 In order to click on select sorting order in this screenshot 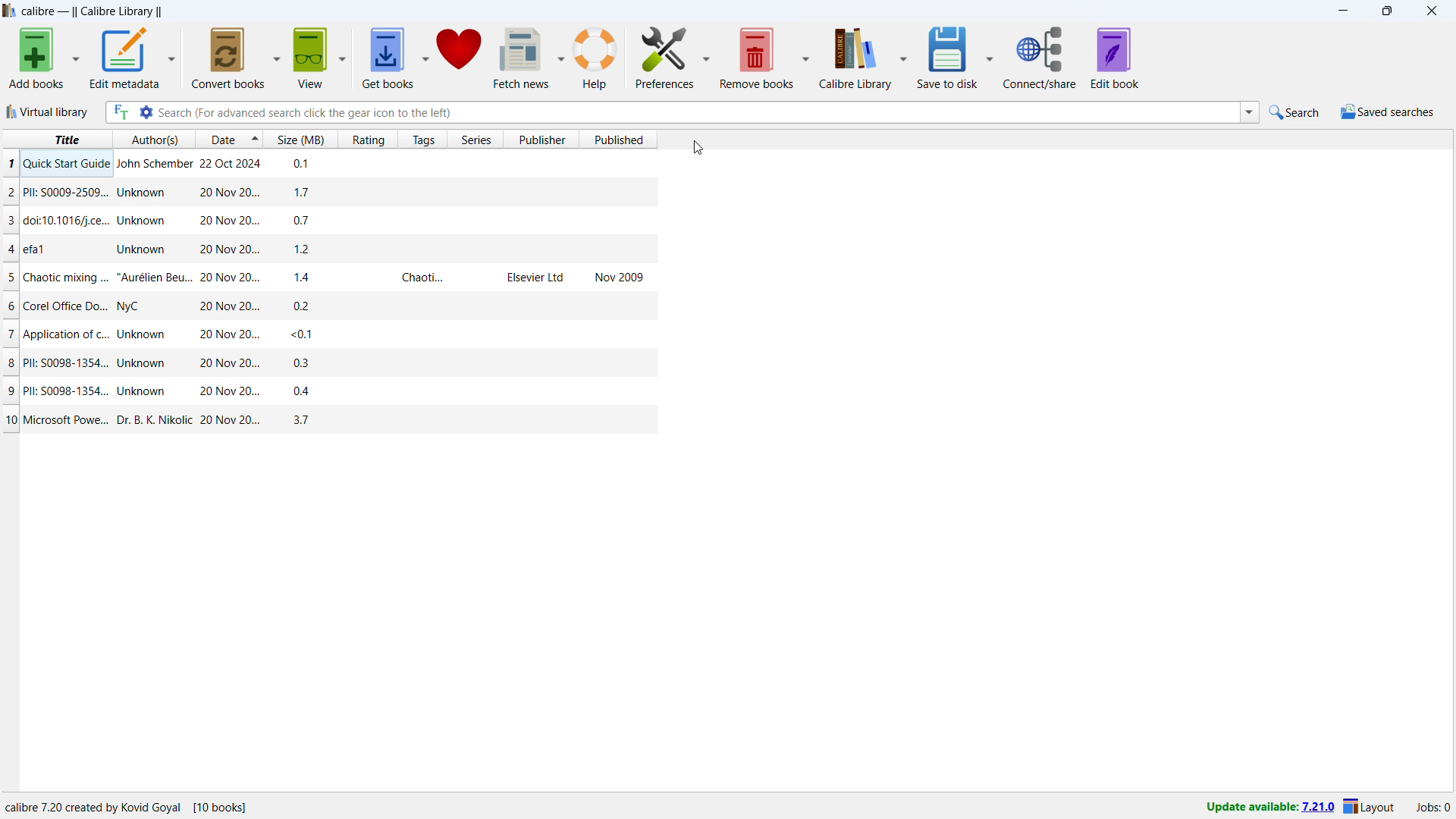, I will do `click(256, 141)`.